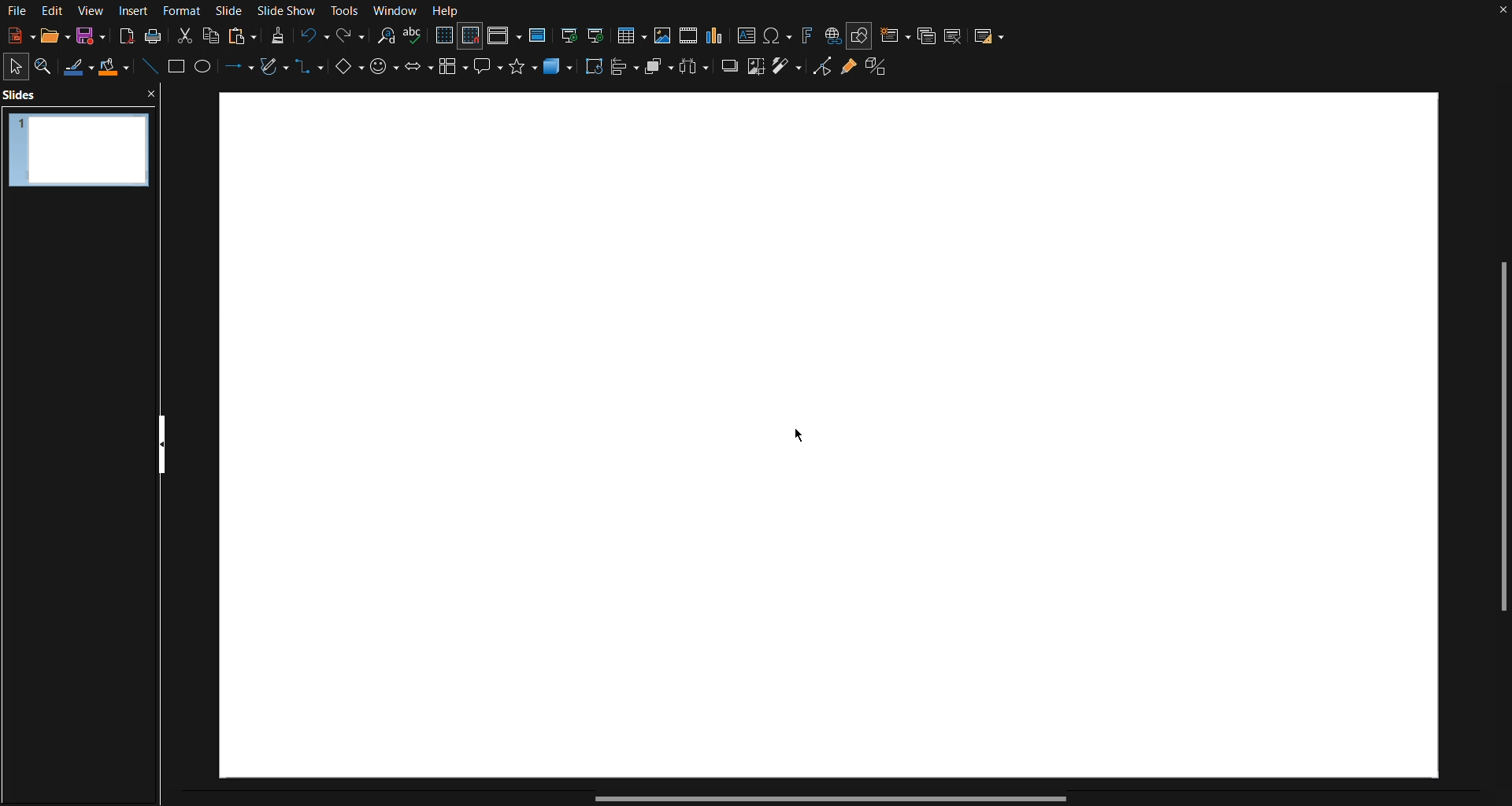  I want to click on File, so click(16, 11).